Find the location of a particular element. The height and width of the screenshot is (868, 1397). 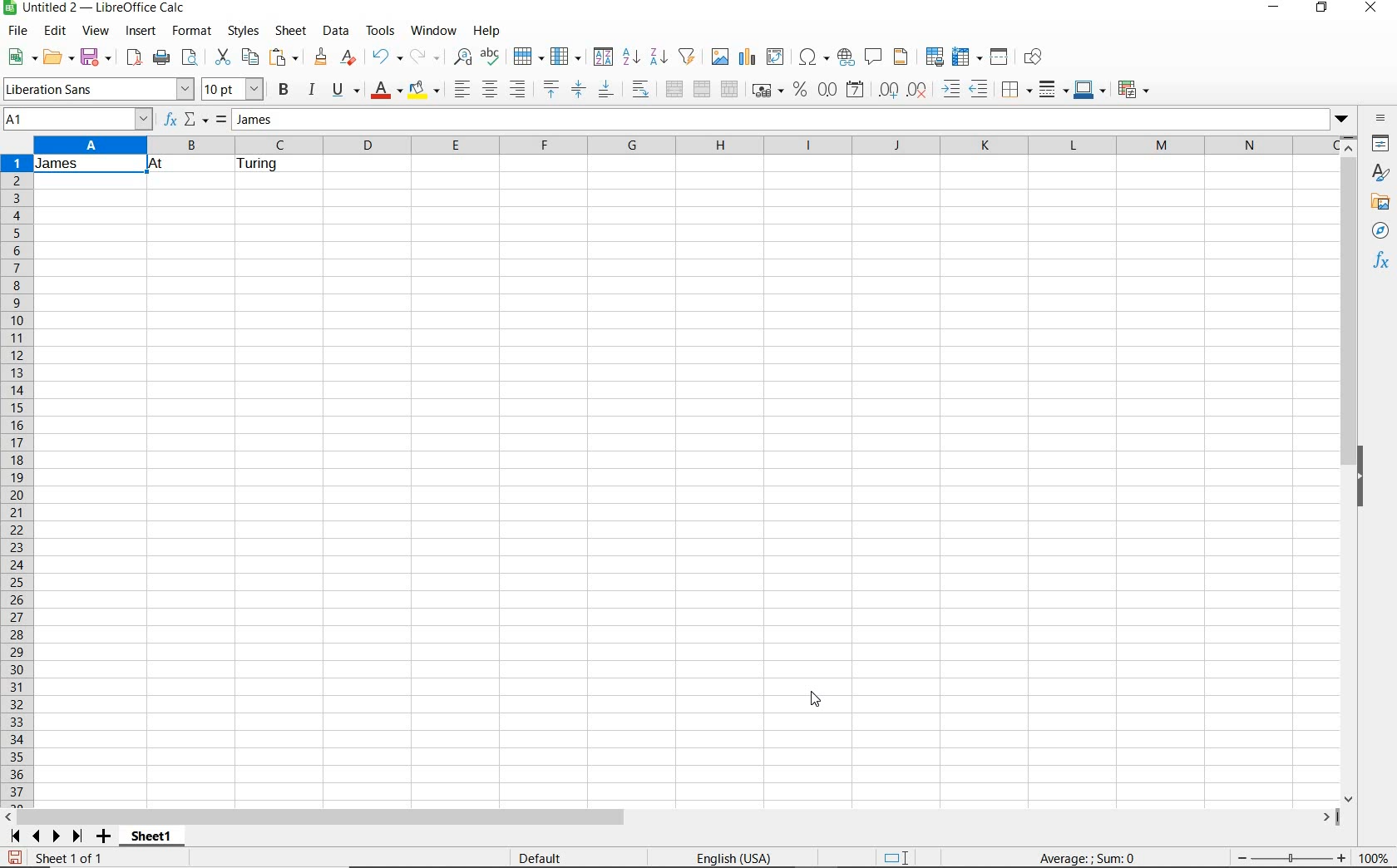

functions is located at coordinates (1382, 262).